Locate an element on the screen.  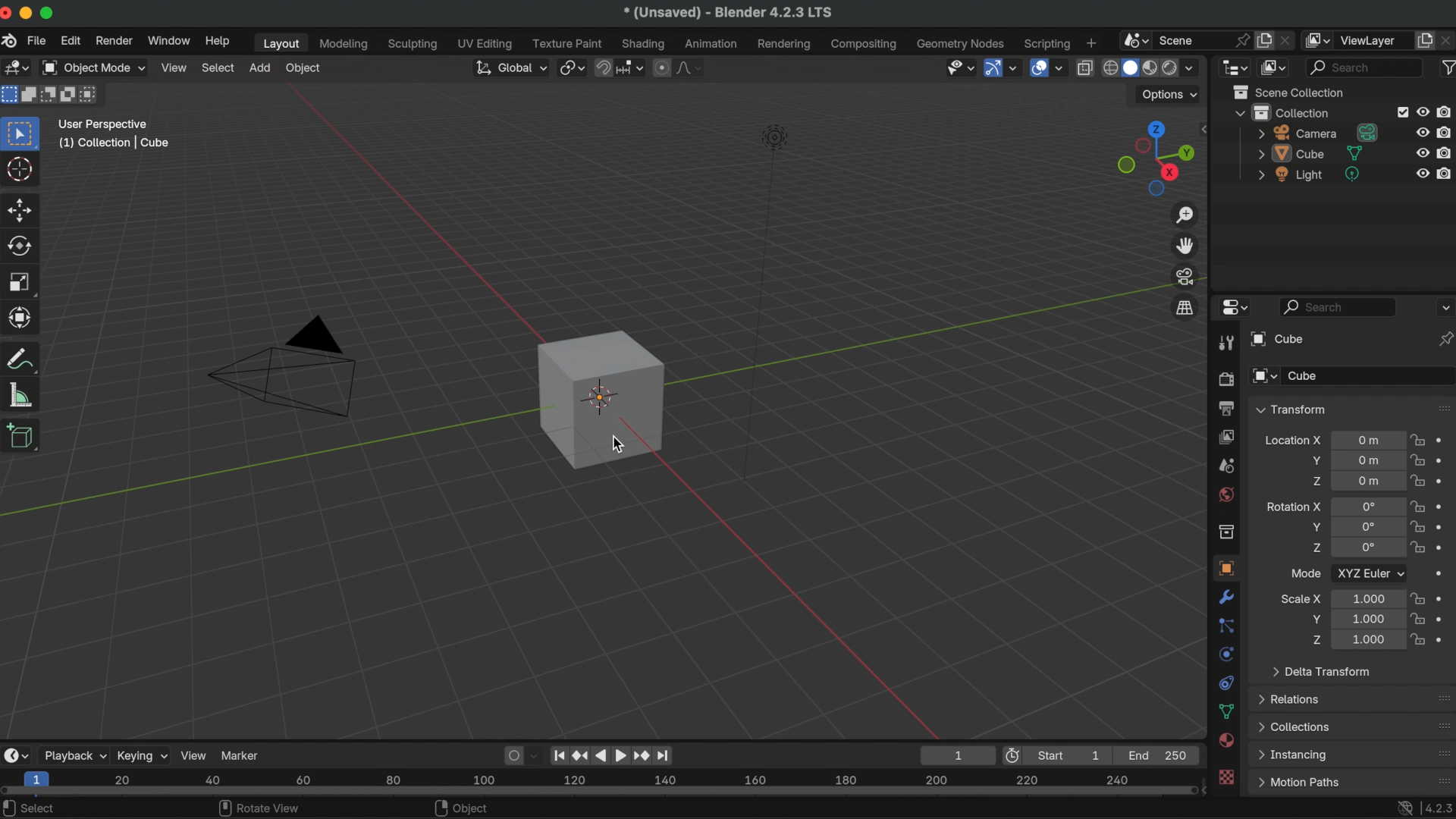
measure is located at coordinates (21, 394).